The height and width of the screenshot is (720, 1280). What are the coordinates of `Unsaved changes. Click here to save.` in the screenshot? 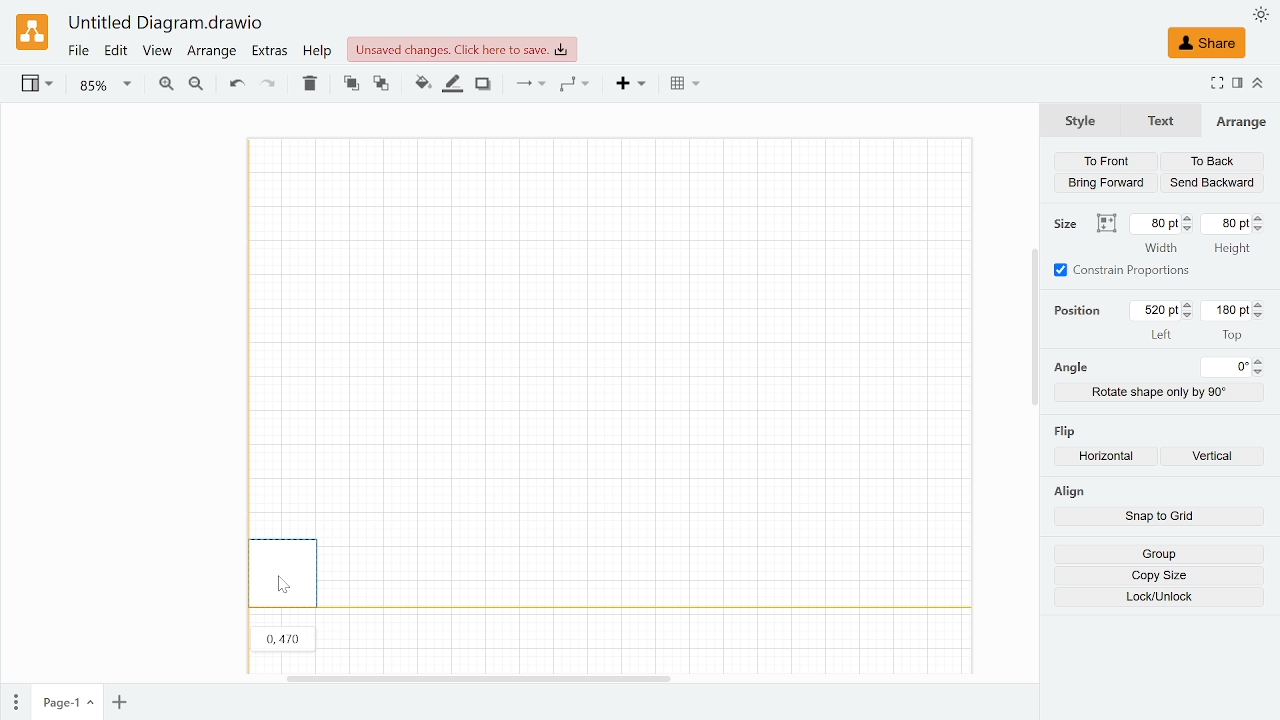 It's located at (462, 49).